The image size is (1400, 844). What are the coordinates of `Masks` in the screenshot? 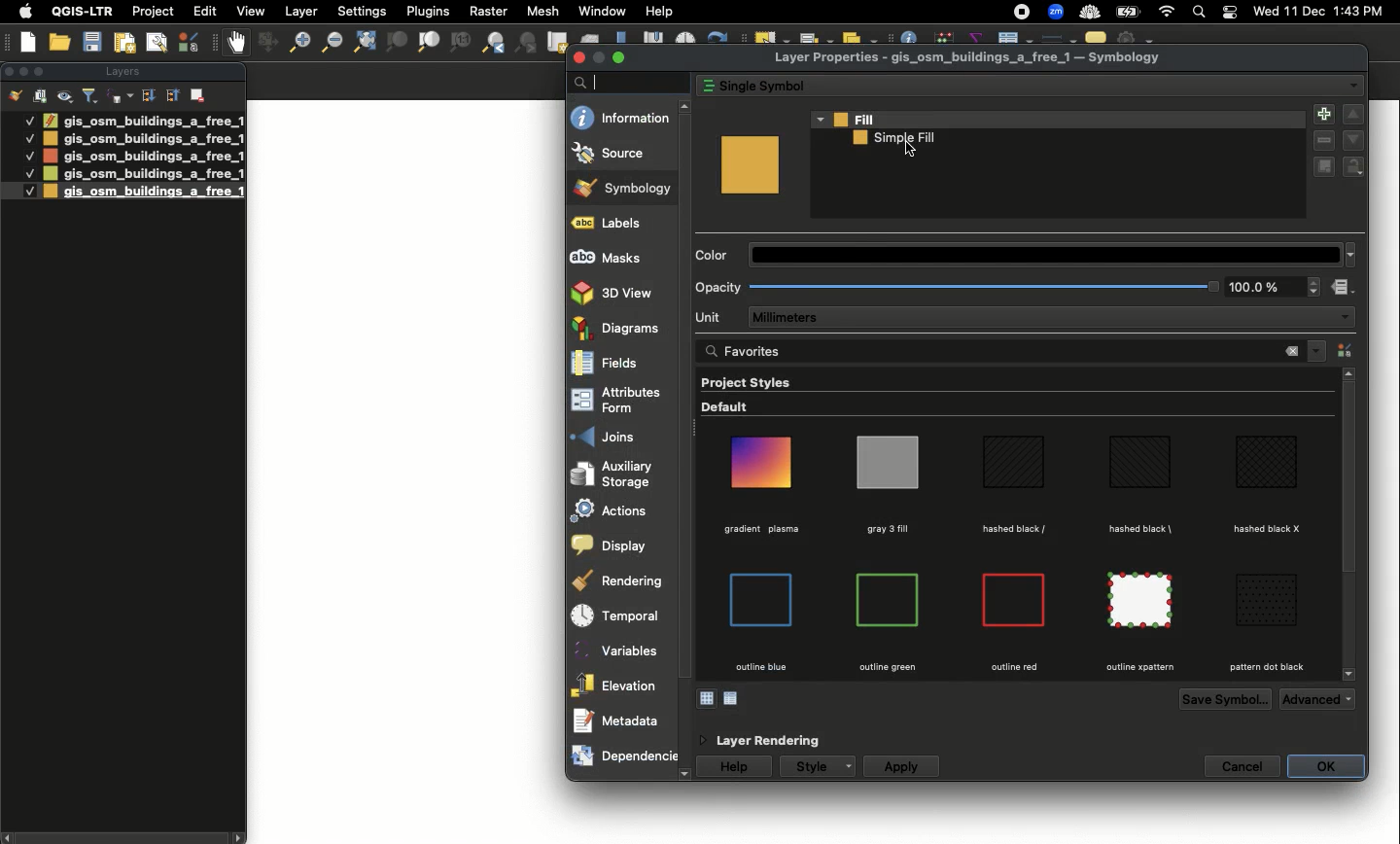 It's located at (621, 256).